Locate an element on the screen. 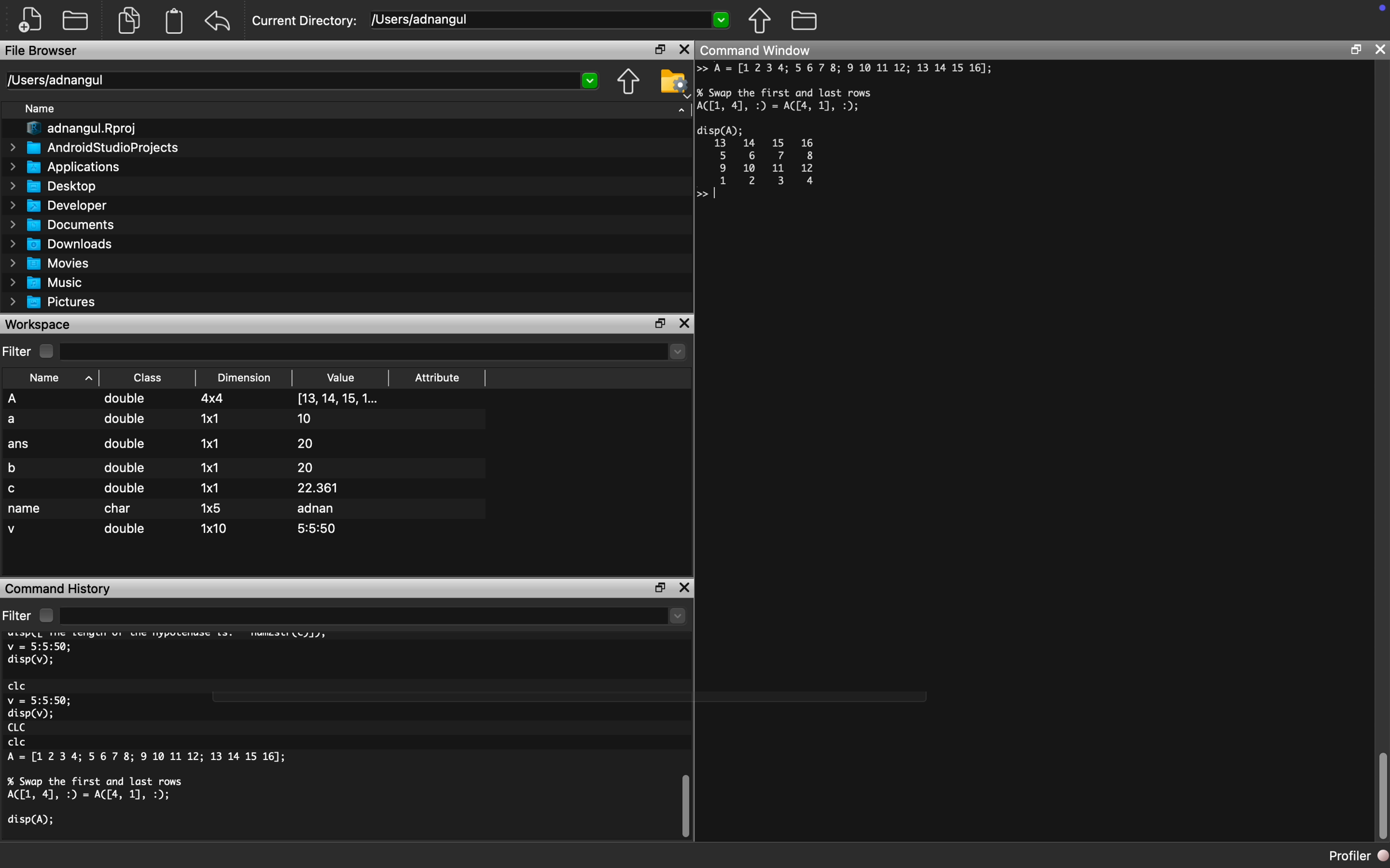 The height and width of the screenshot is (868, 1390). Name is located at coordinates (53, 375).